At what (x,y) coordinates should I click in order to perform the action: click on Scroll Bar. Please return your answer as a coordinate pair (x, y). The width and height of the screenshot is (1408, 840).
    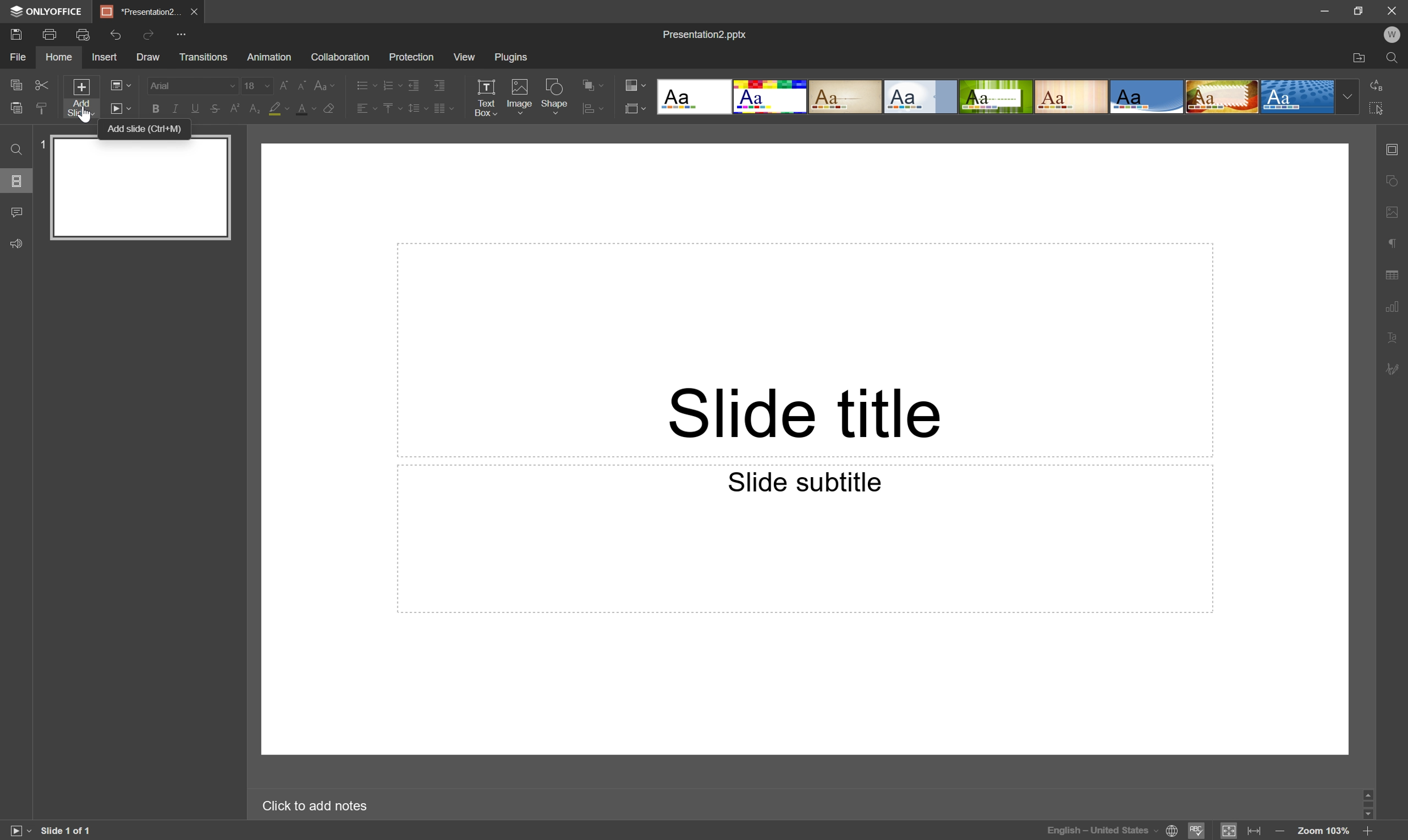
    Looking at the image, I should click on (1370, 800).